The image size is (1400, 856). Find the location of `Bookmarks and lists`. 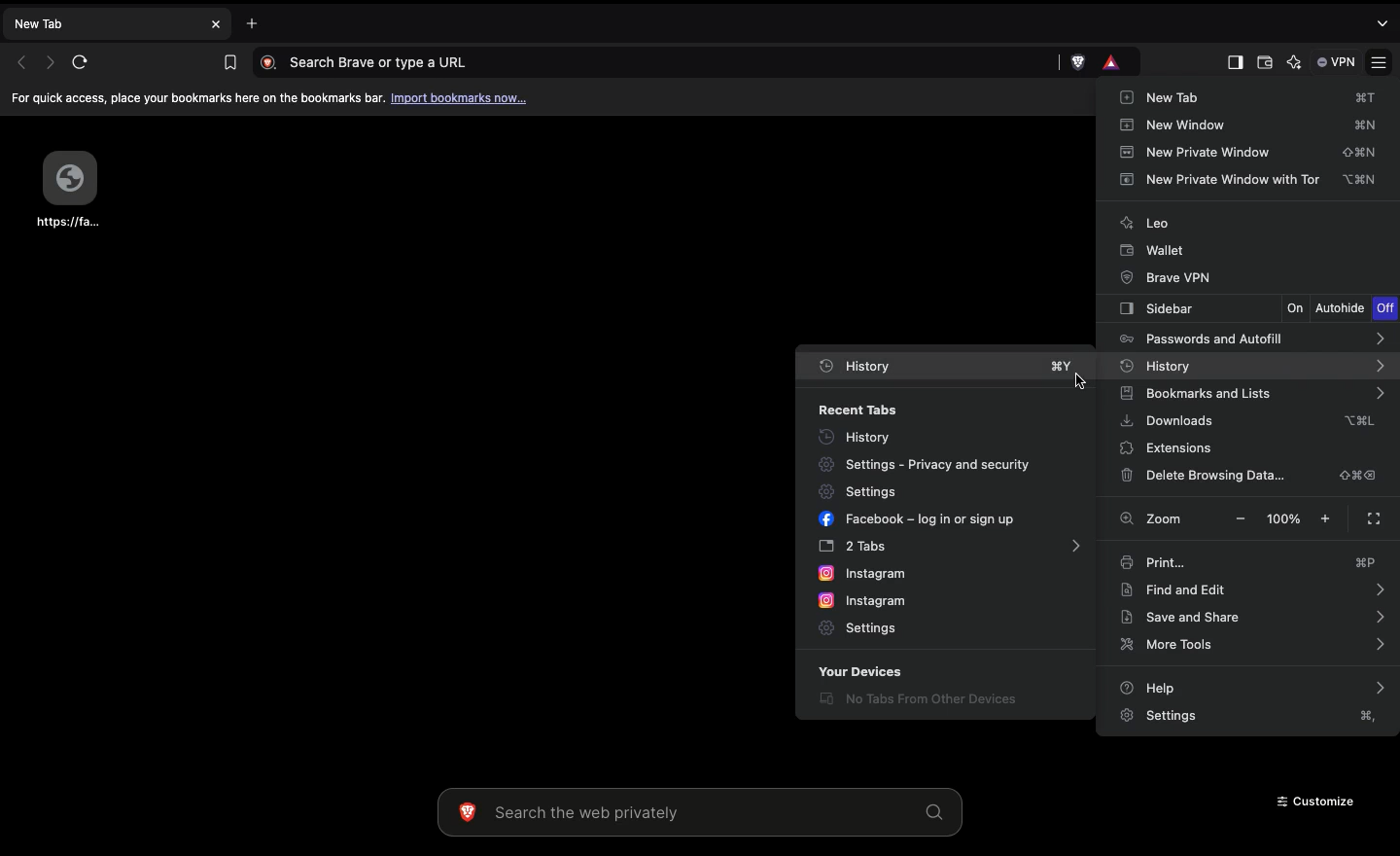

Bookmarks and lists is located at coordinates (1252, 397).